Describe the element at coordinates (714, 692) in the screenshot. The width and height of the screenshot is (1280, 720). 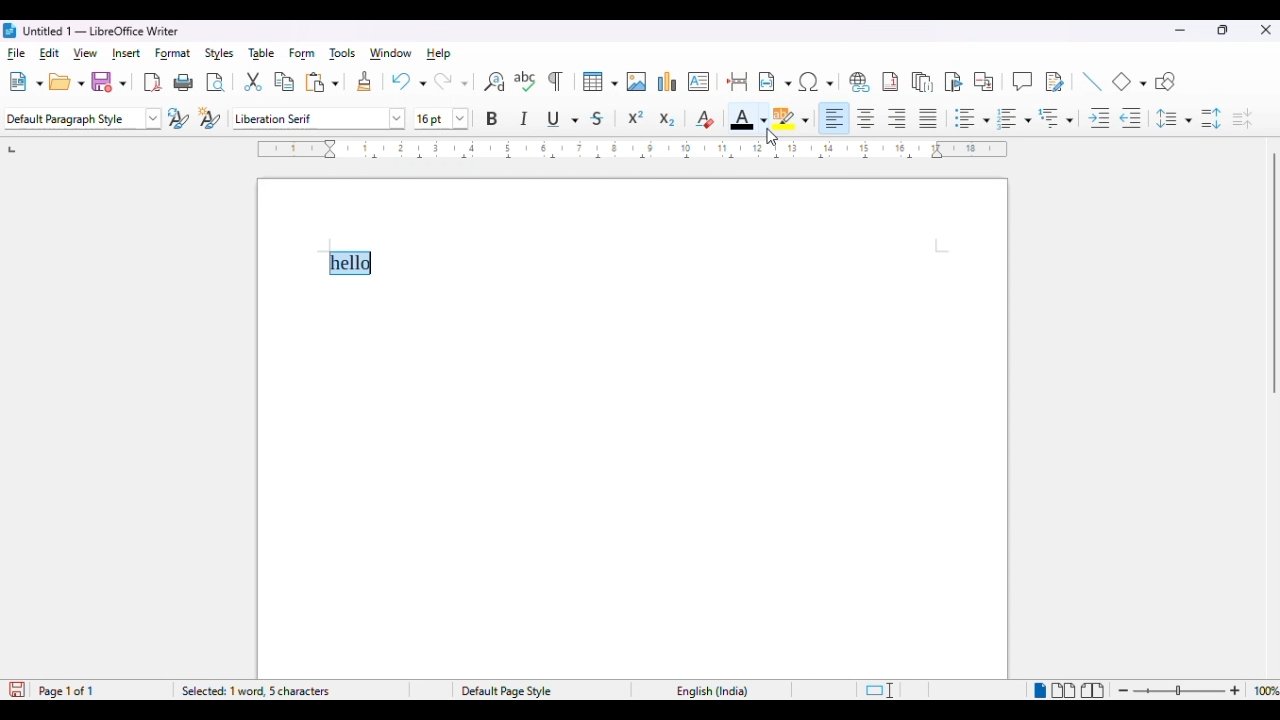
I see `text language` at that location.